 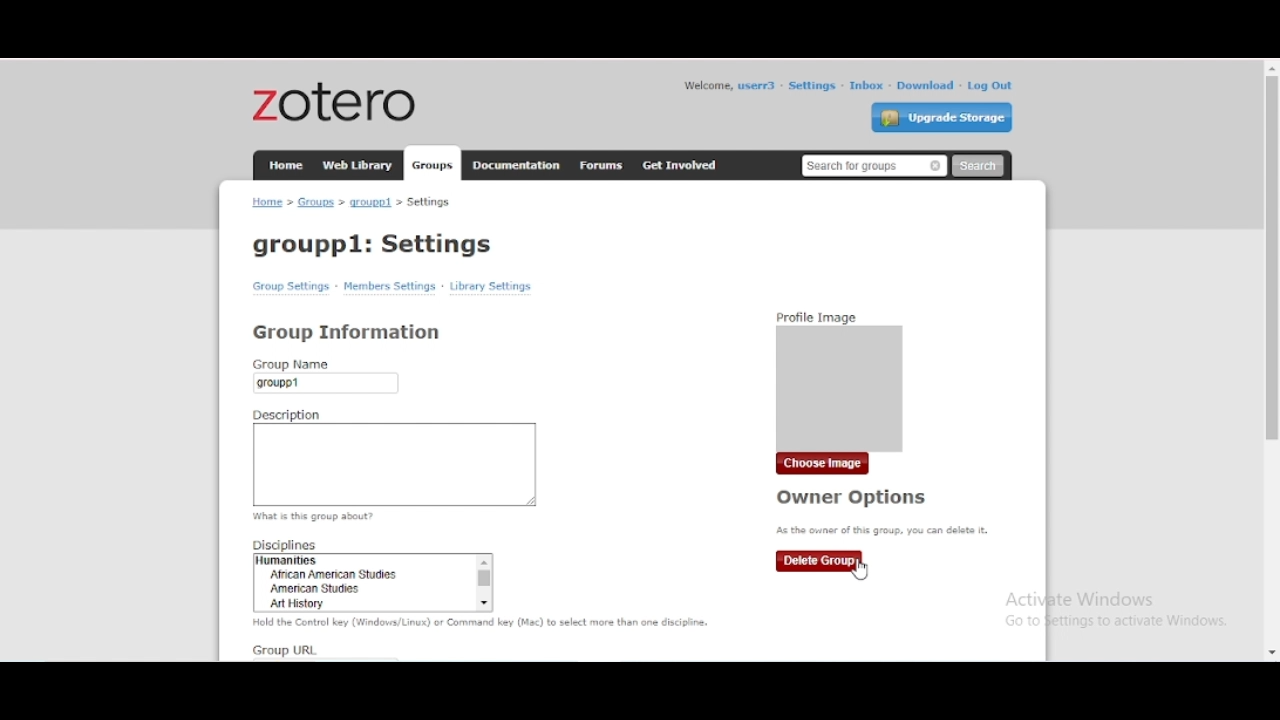 I want to click on disciplines, so click(x=376, y=577).